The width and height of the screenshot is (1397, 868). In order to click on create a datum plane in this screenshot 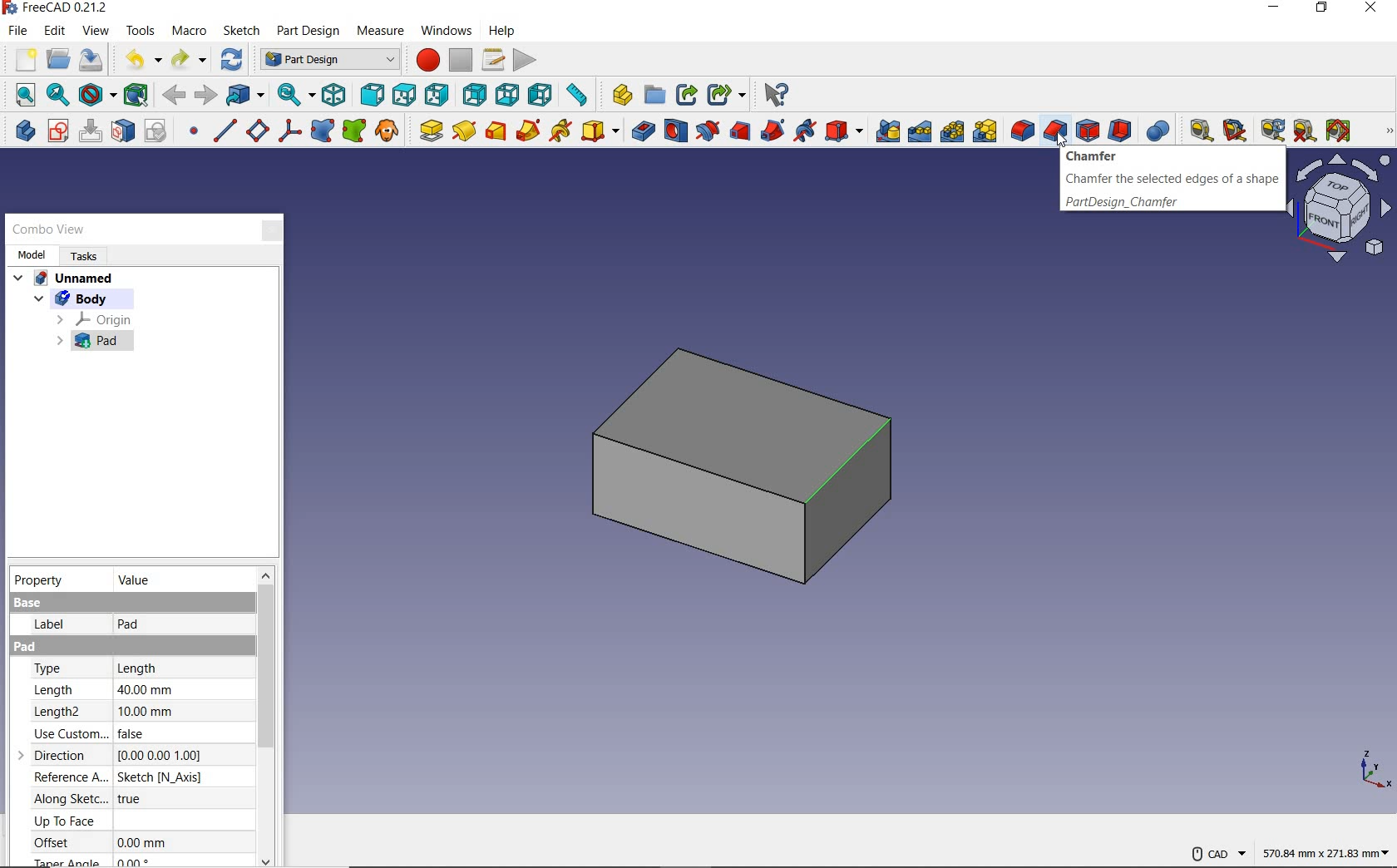, I will do `click(258, 131)`.